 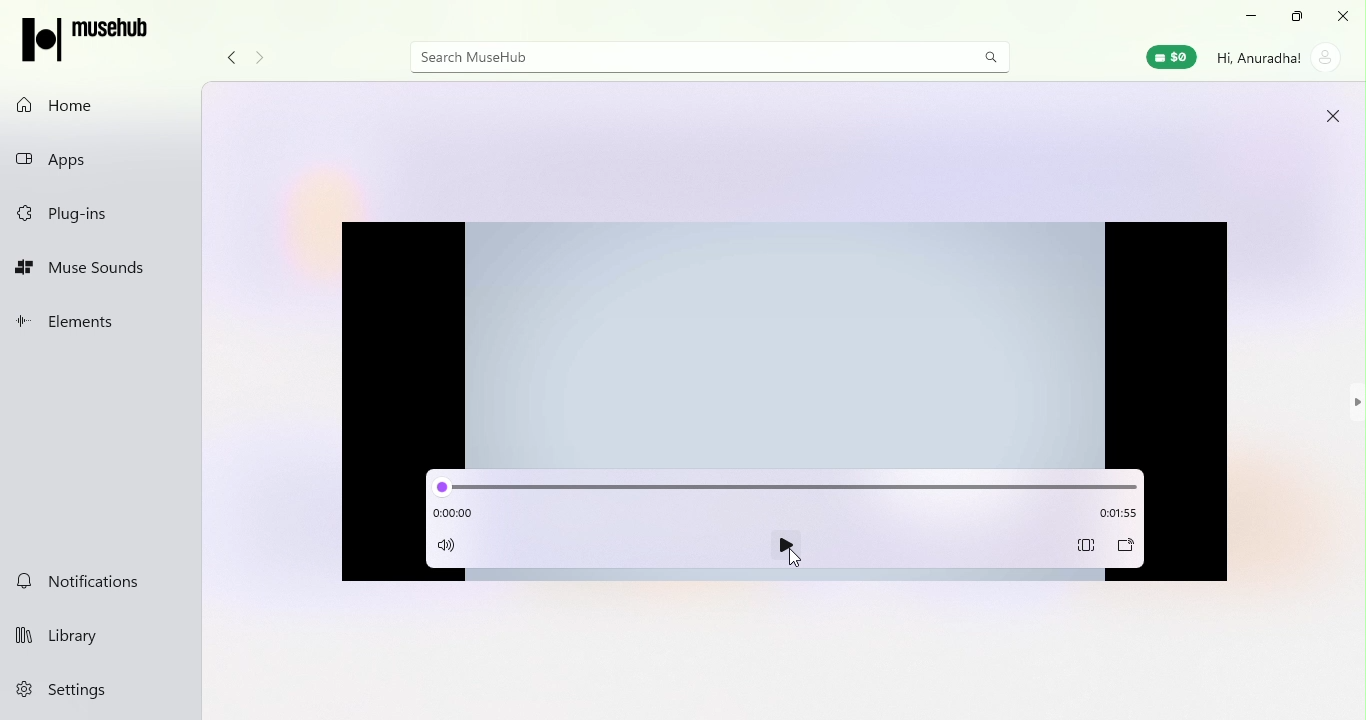 I want to click on Navigate back, so click(x=233, y=57).